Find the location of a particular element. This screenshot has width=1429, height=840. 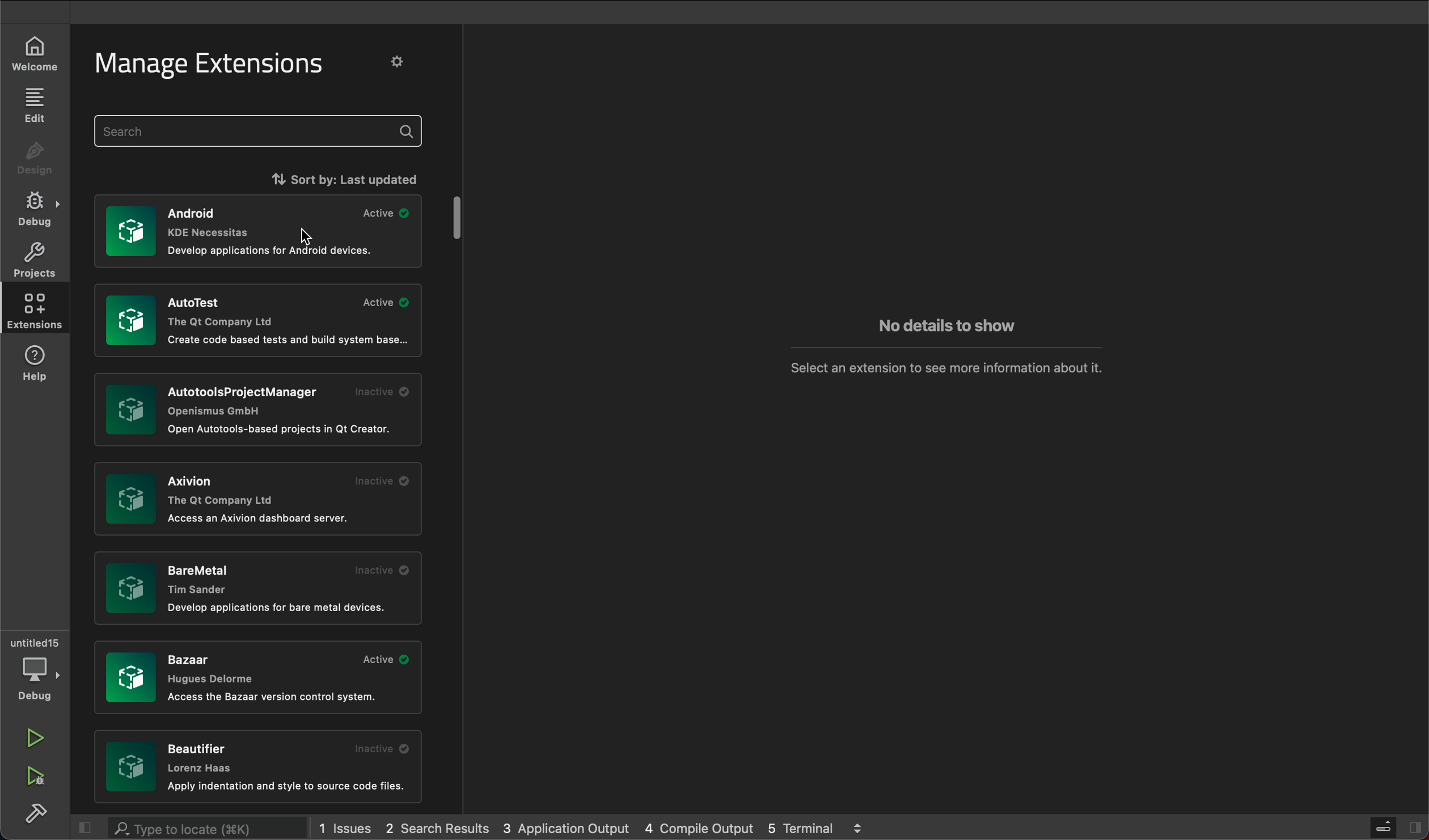

extensions list is located at coordinates (256, 586).